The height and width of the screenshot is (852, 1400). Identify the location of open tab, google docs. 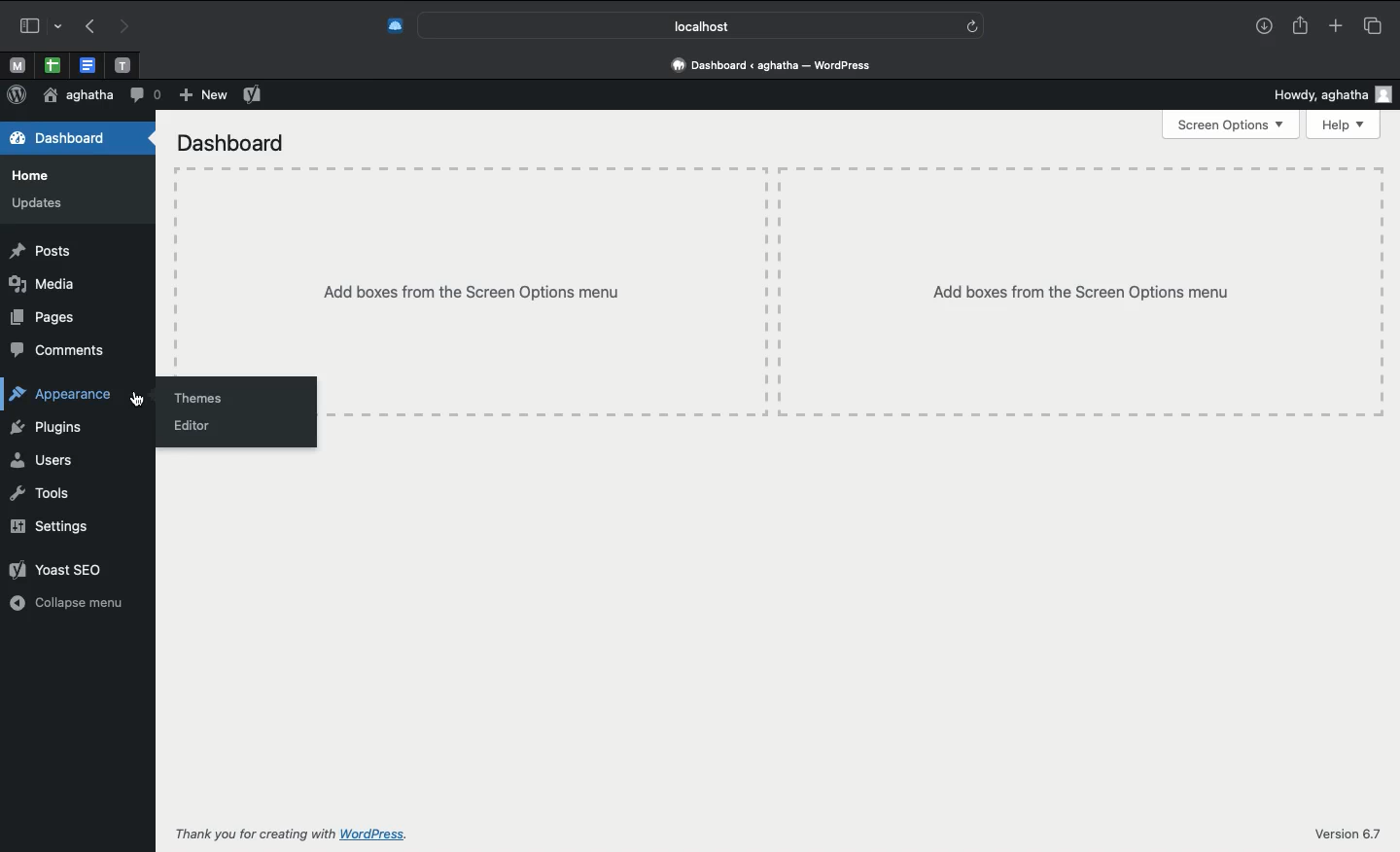
(86, 66).